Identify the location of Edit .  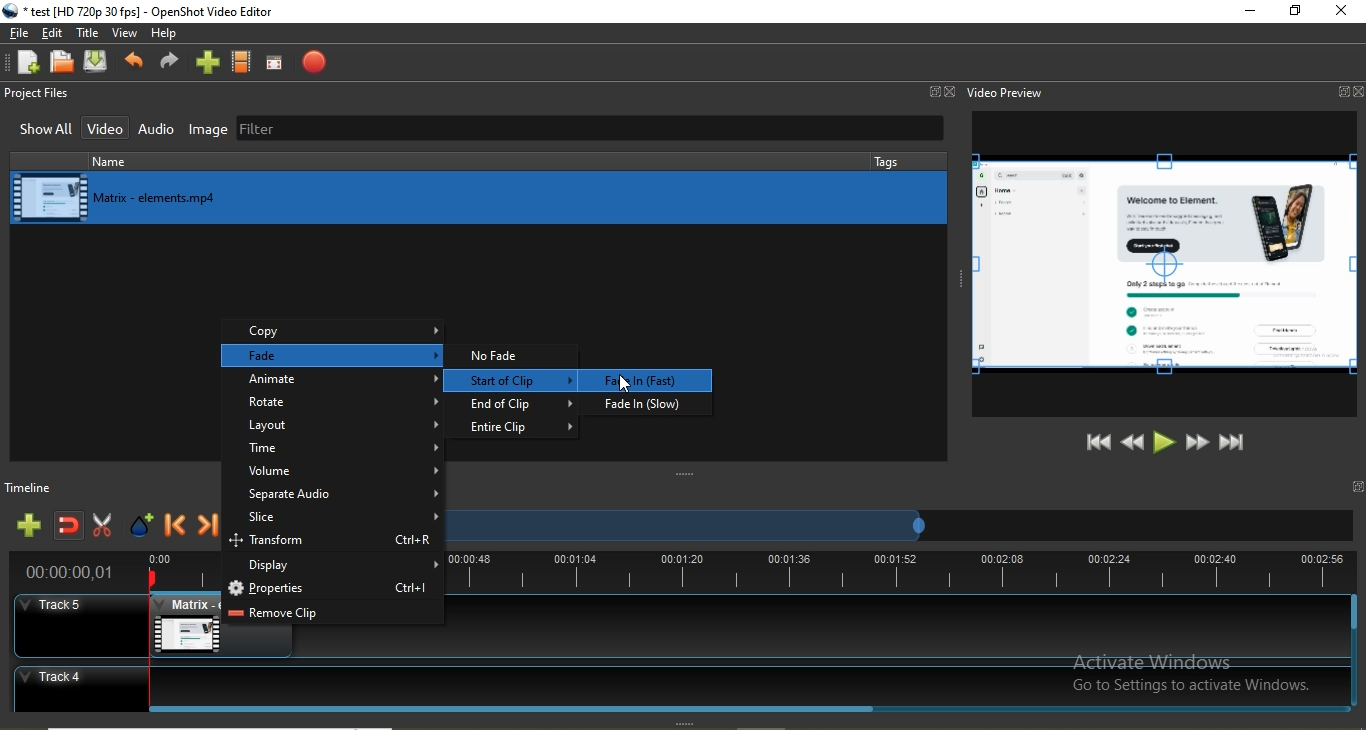
(55, 33).